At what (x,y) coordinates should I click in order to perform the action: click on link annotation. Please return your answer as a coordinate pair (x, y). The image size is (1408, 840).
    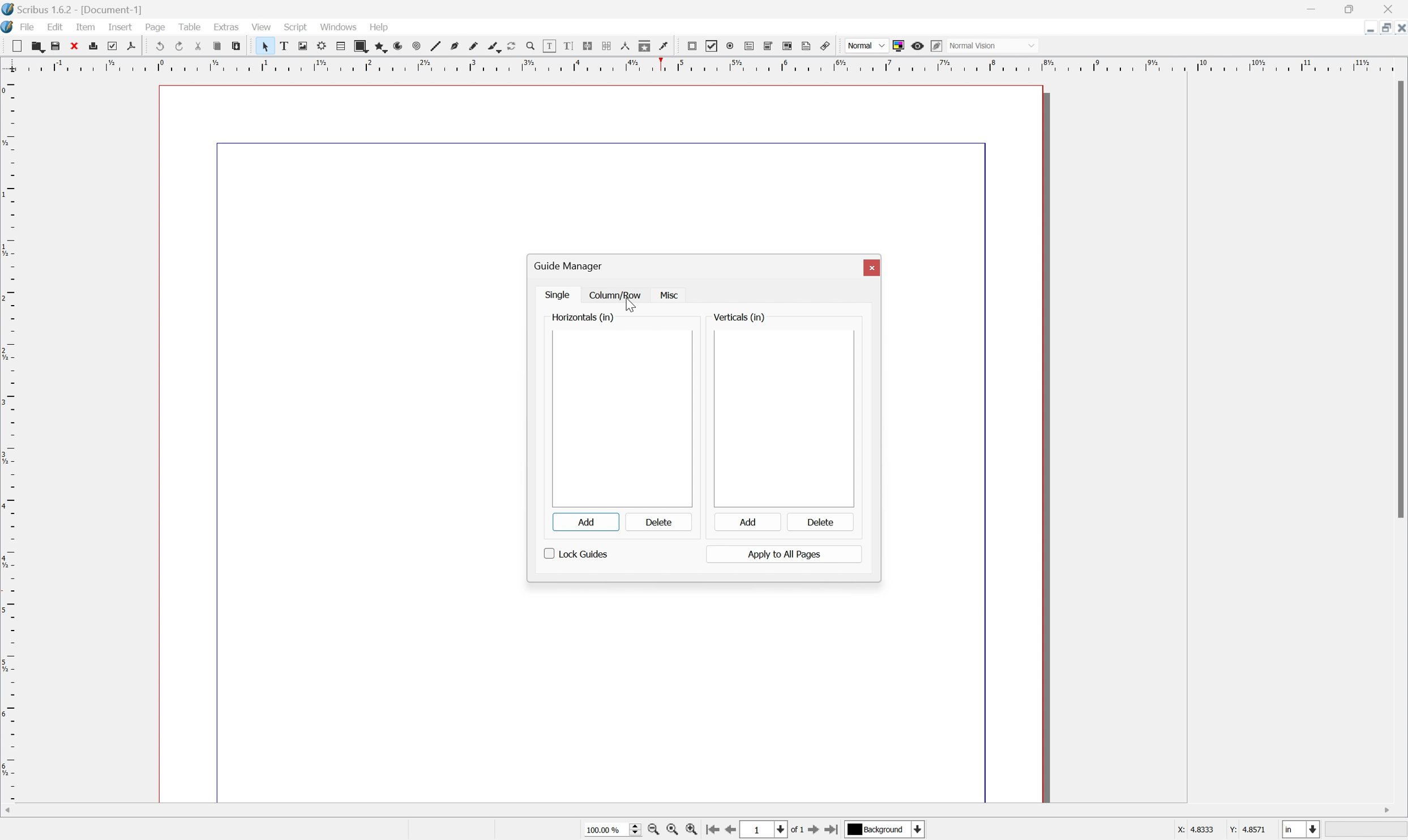
    Looking at the image, I should click on (825, 46).